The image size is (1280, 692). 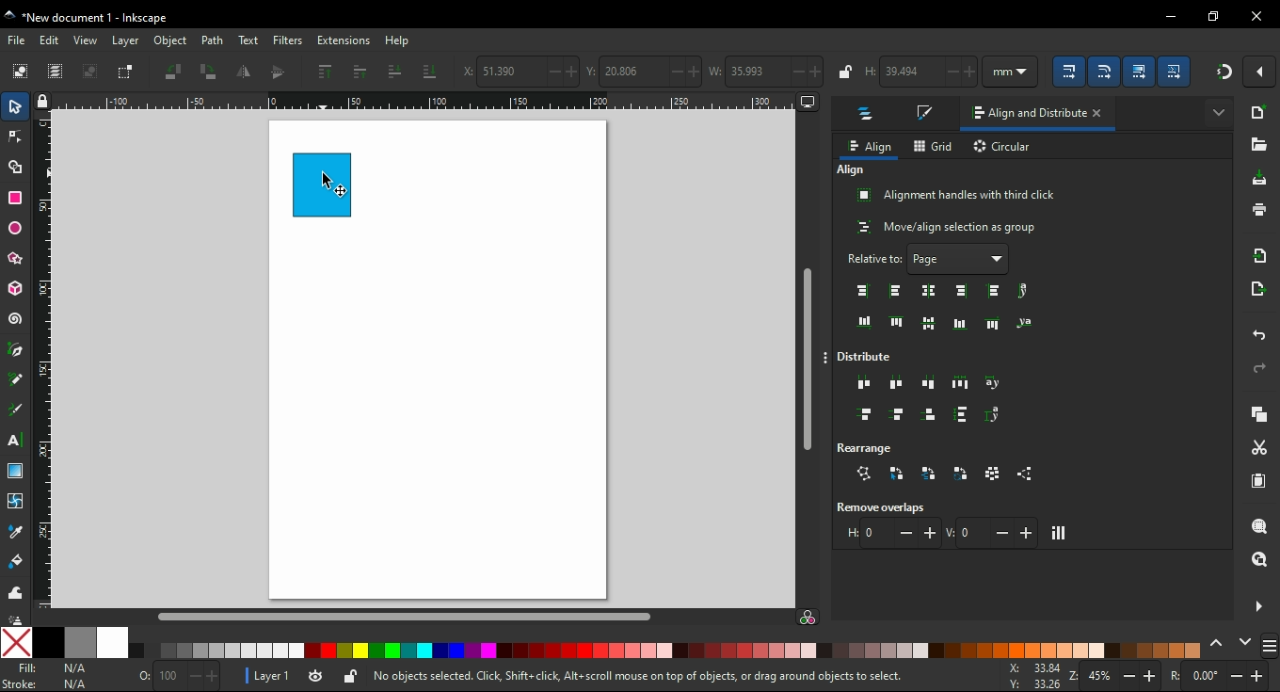 What do you see at coordinates (957, 195) in the screenshot?
I see `checkbox: alignment handles with third click` at bounding box center [957, 195].